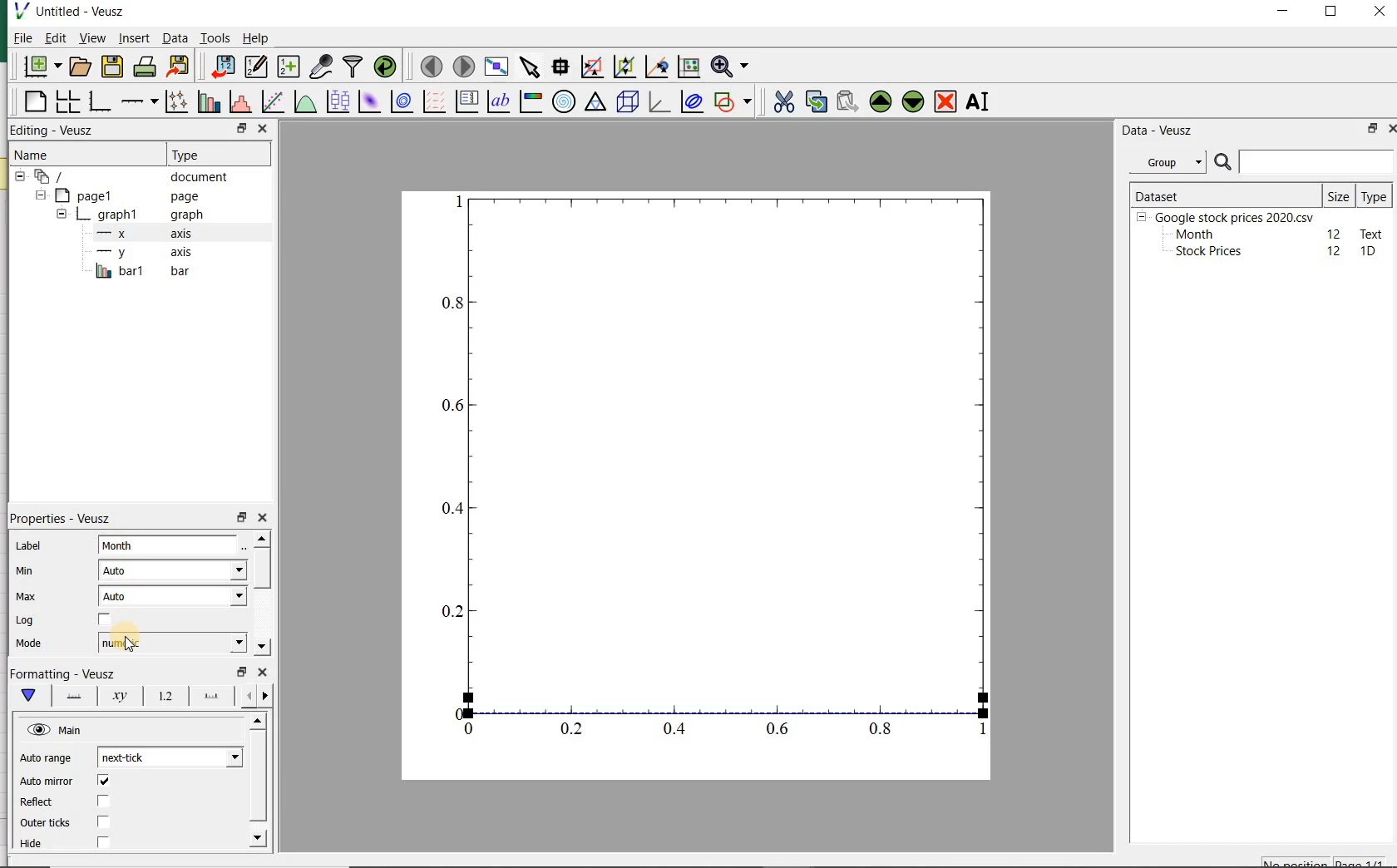 This screenshot has width=1397, height=868. I want to click on fit a function to data, so click(271, 102).